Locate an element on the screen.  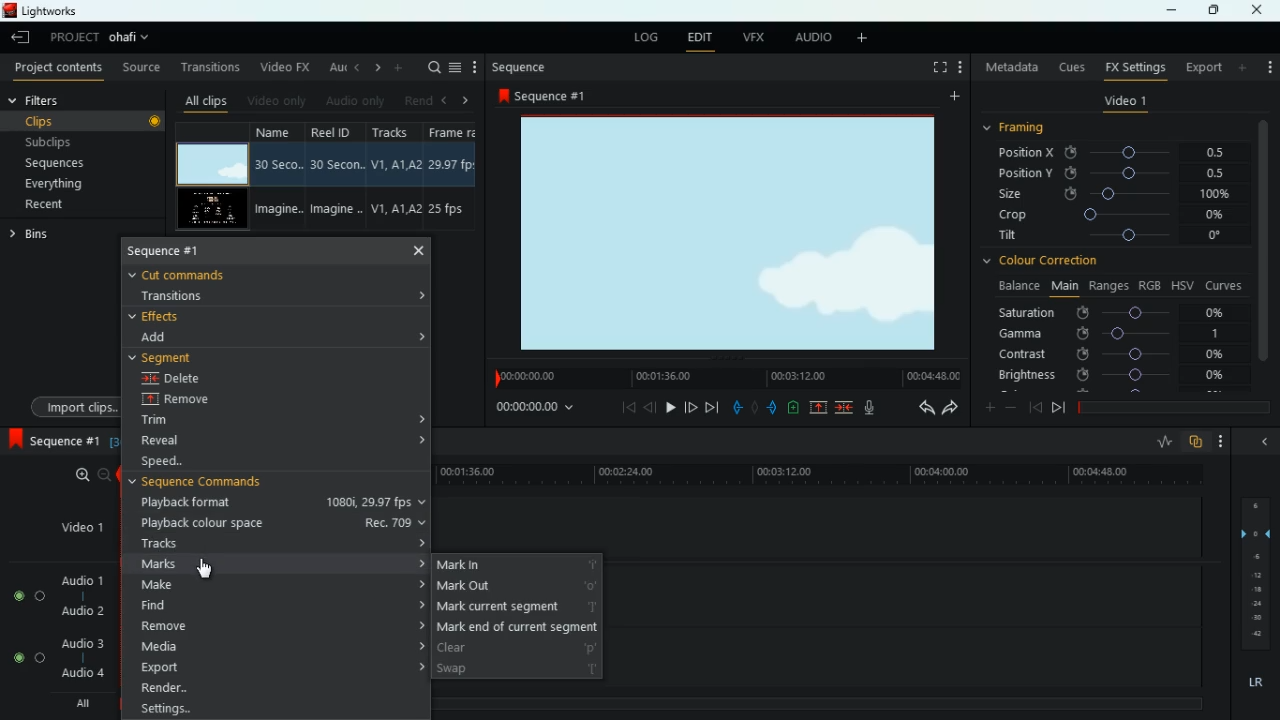
contrast is located at coordinates (1110, 355).